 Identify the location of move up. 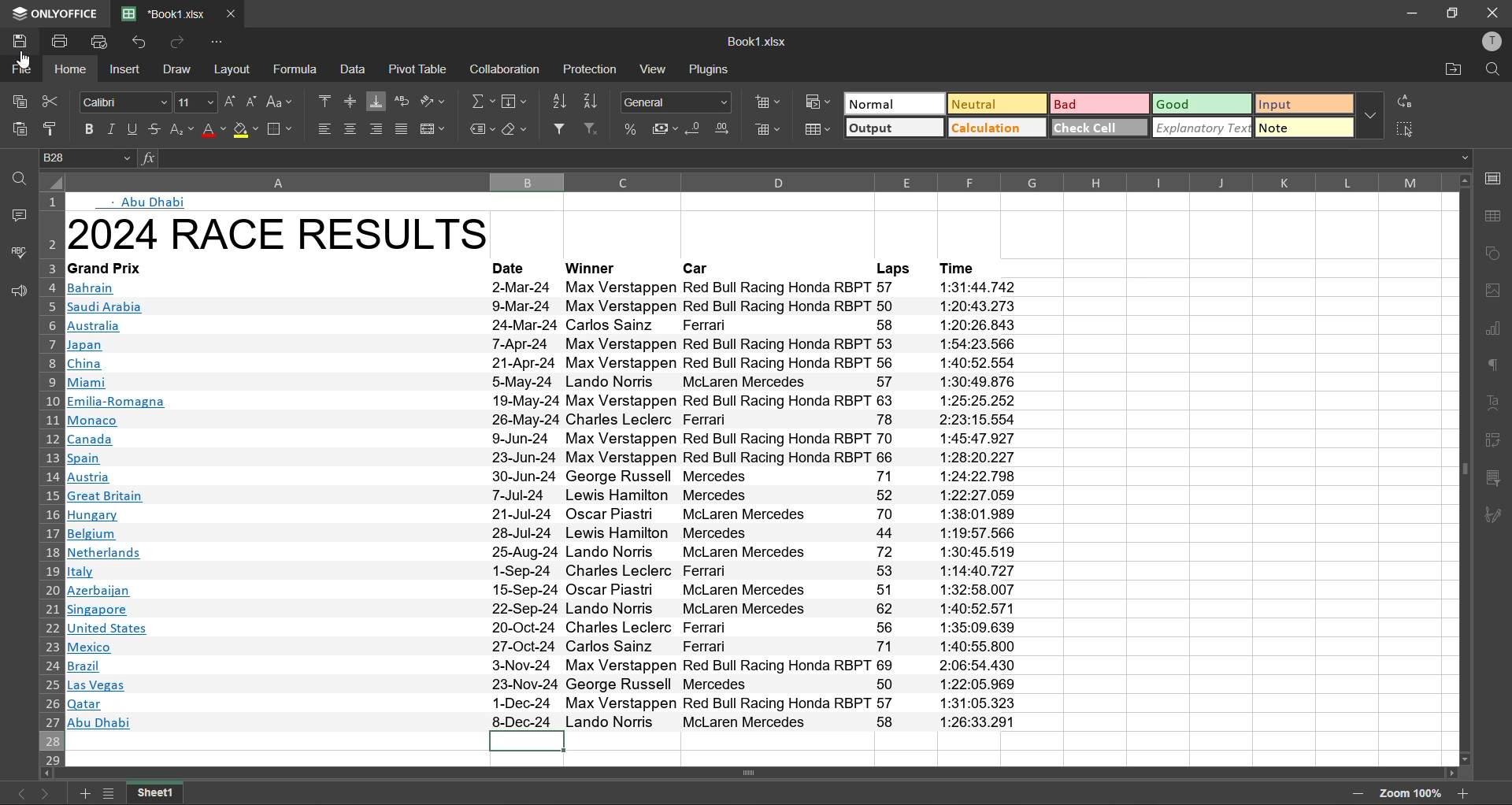
(1463, 186).